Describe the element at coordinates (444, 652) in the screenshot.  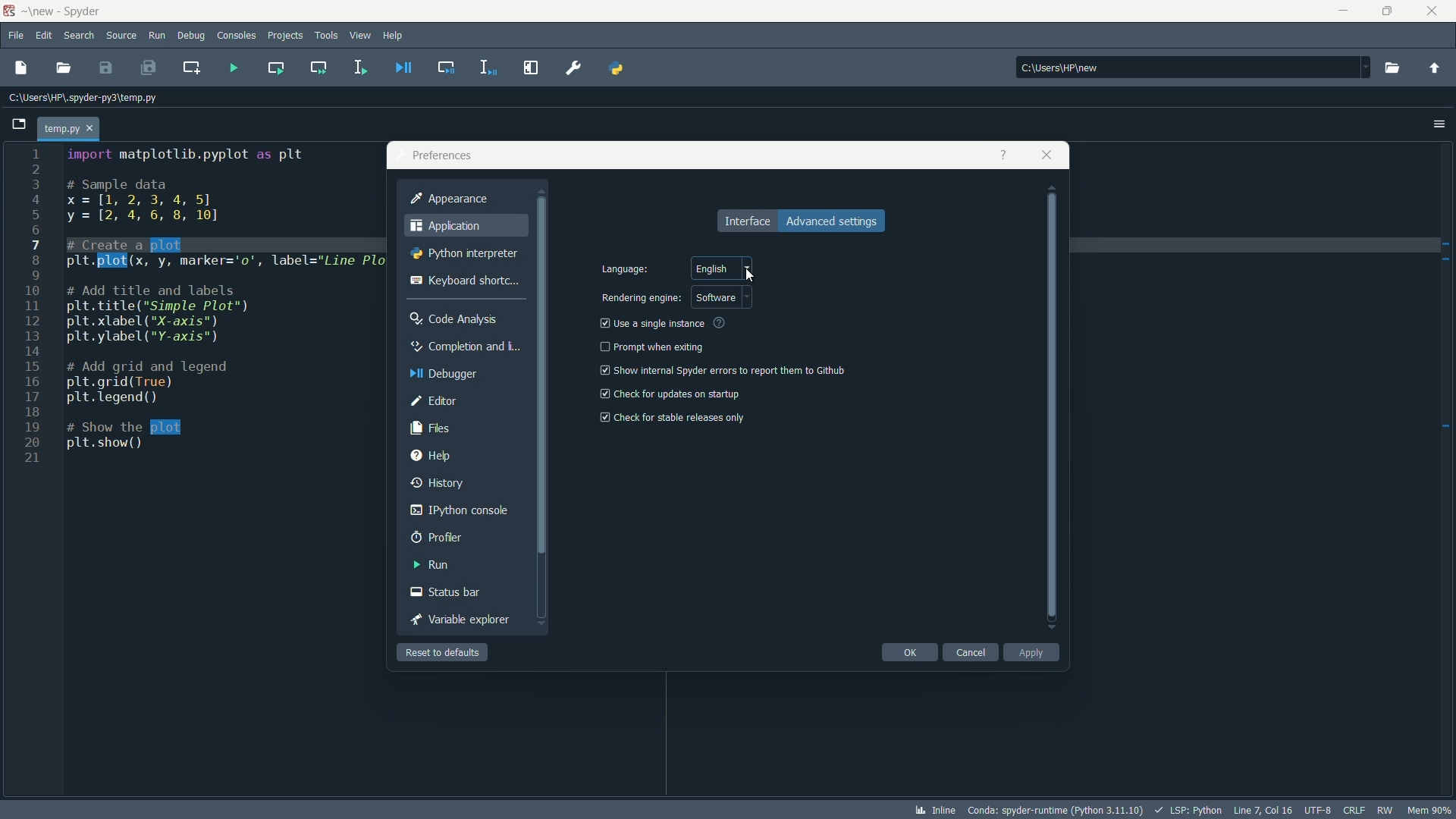
I see `reset to defaults` at that location.